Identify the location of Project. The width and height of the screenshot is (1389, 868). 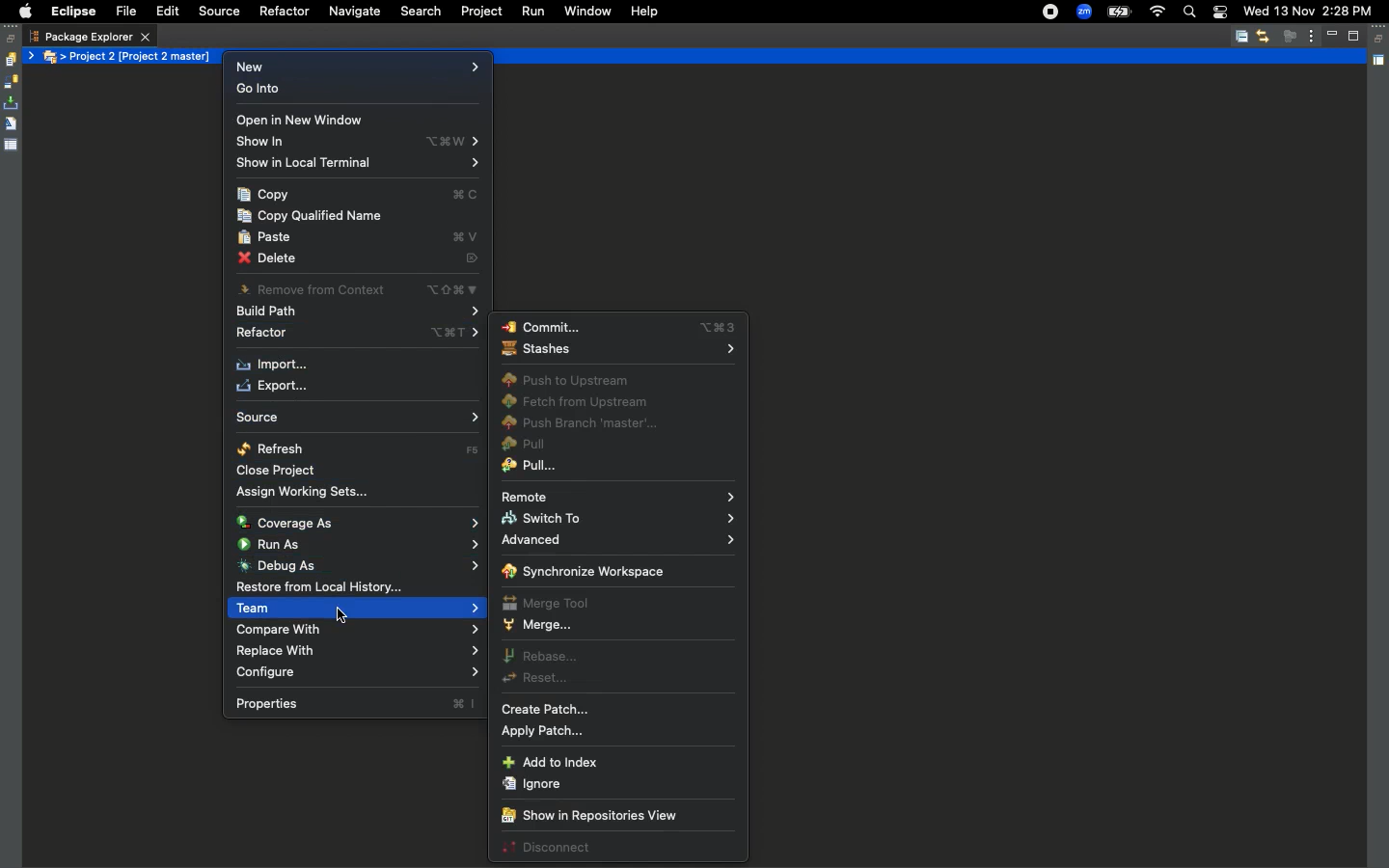
(477, 12).